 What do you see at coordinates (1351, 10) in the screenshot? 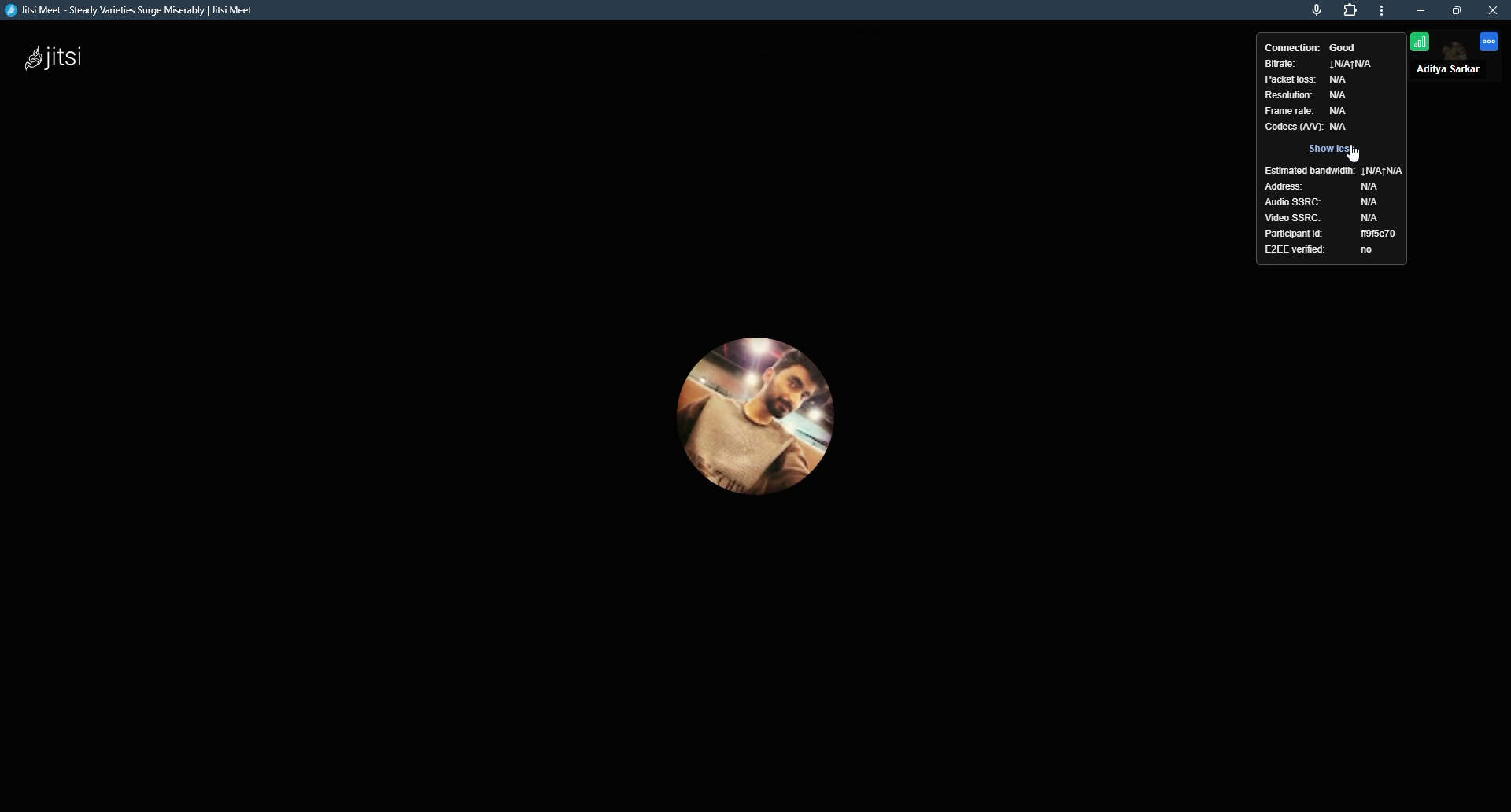
I see `extensions` at bounding box center [1351, 10].